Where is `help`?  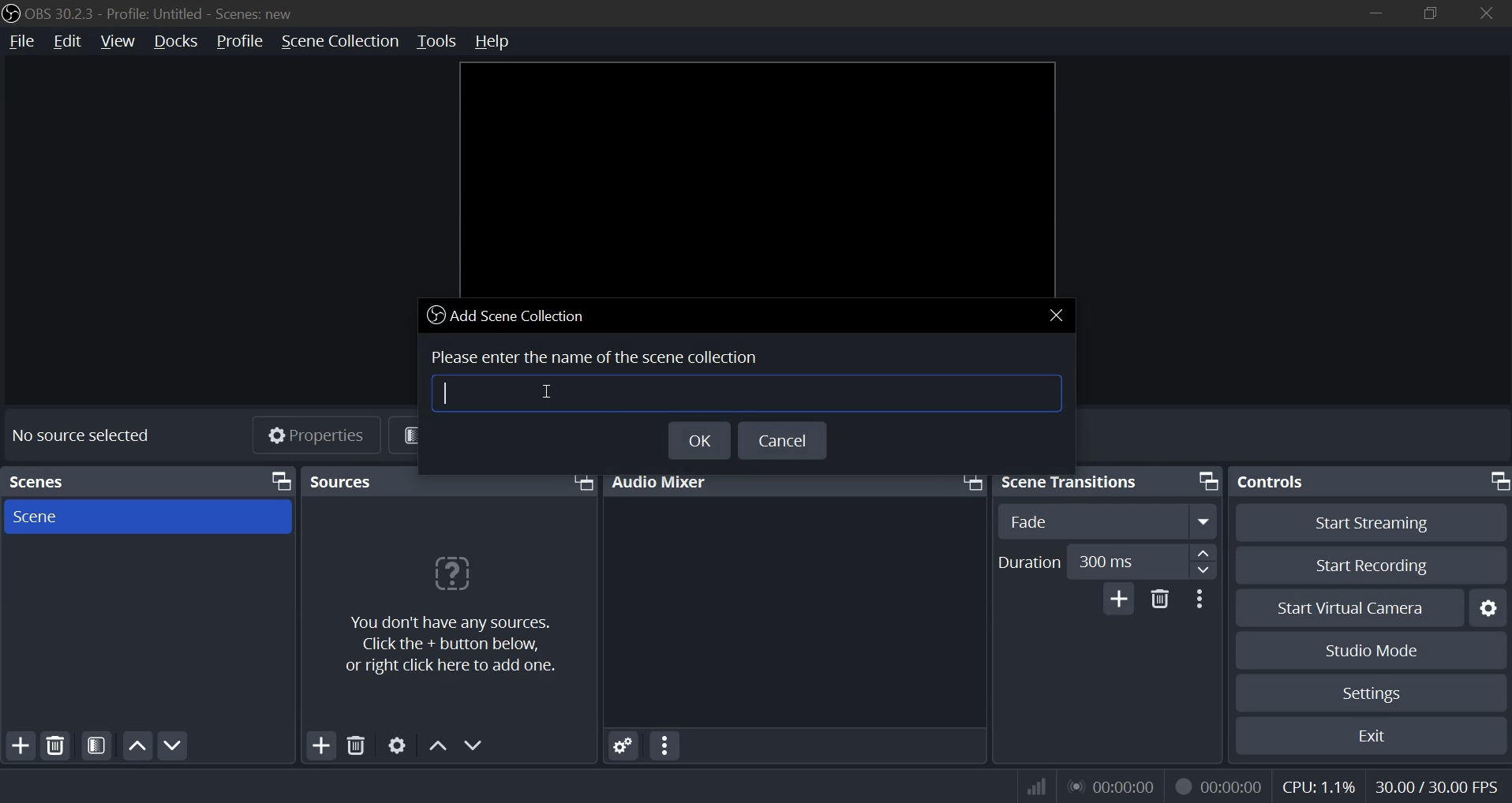
help is located at coordinates (500, 41).